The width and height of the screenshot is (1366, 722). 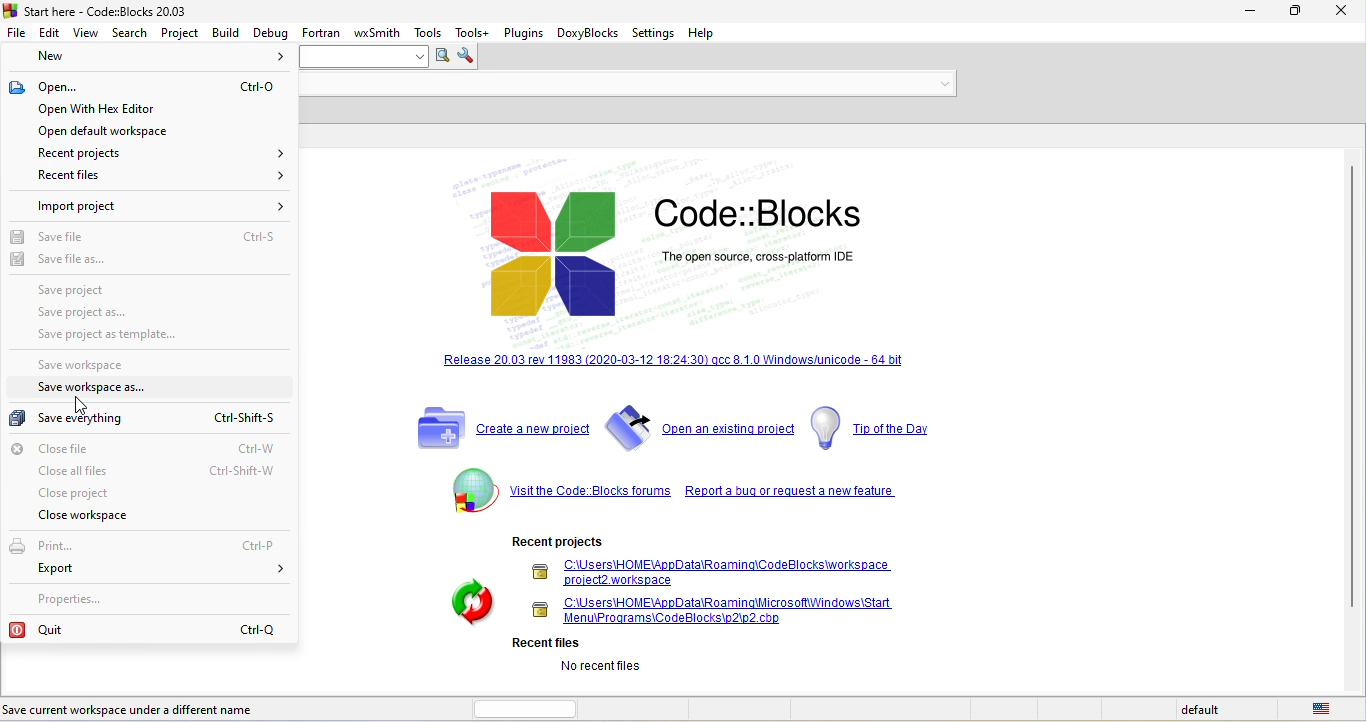 What do you see at coordinates (469, 57) in the screenshot?
I see `show option window` at bounding box center [469, 57].